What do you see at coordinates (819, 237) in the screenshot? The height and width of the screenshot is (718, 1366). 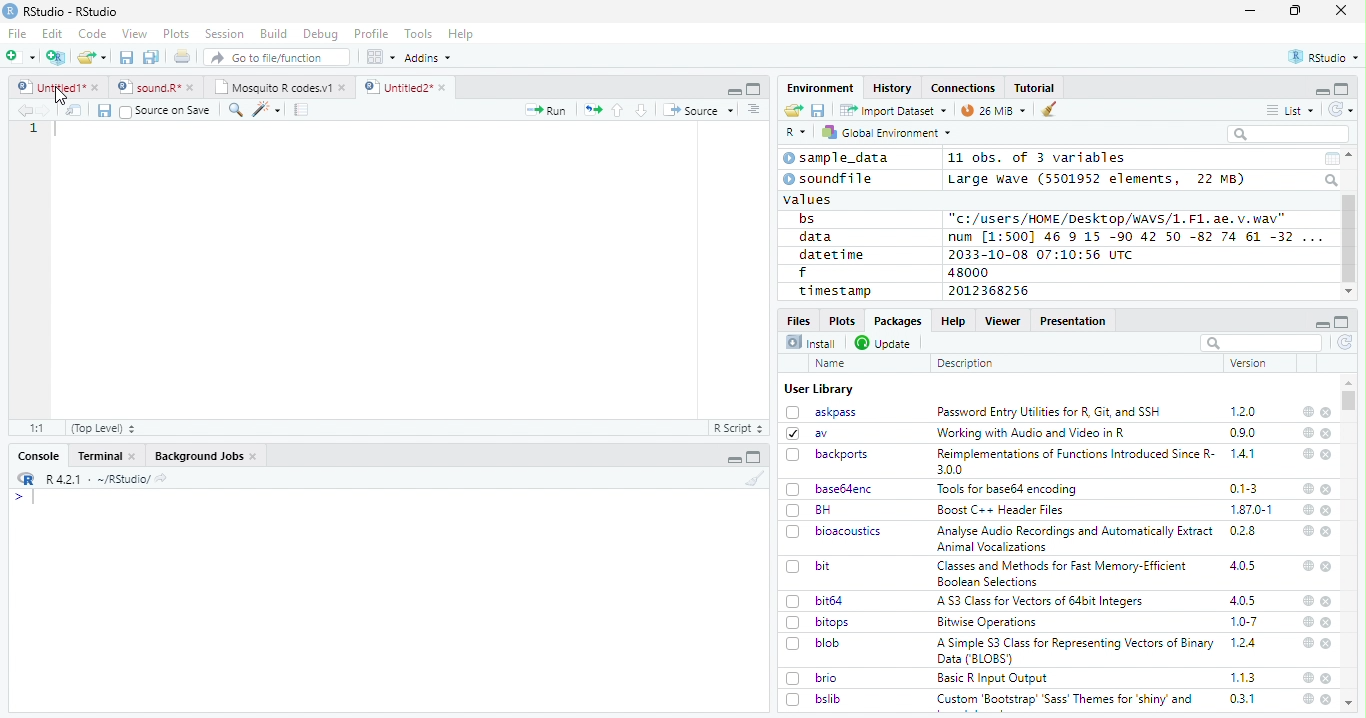 I see `data` at bounding box center [819, 237].